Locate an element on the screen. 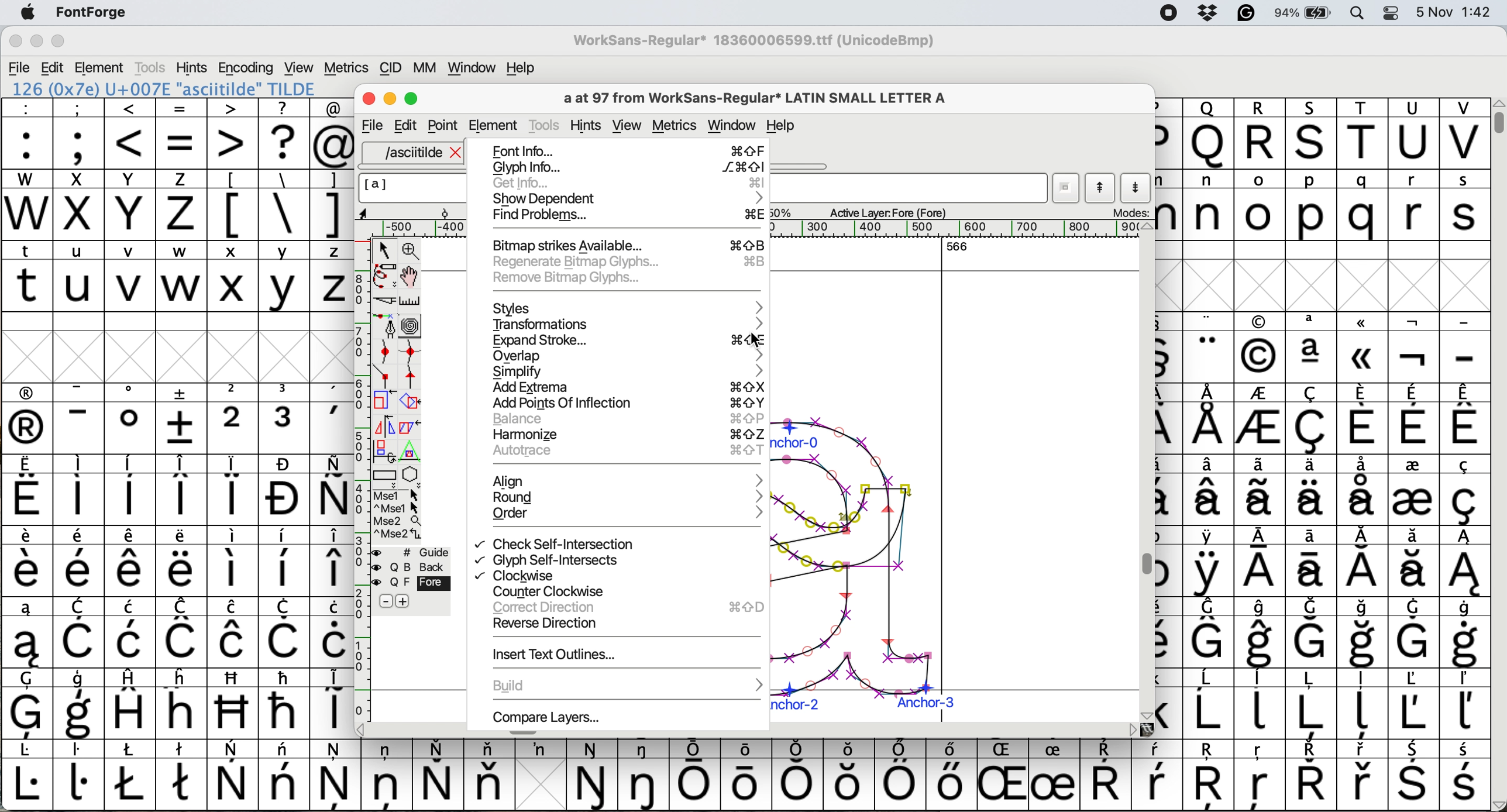 This screenshot has width=1507, height=812. grammarly is located at coordinates (1245, 15).